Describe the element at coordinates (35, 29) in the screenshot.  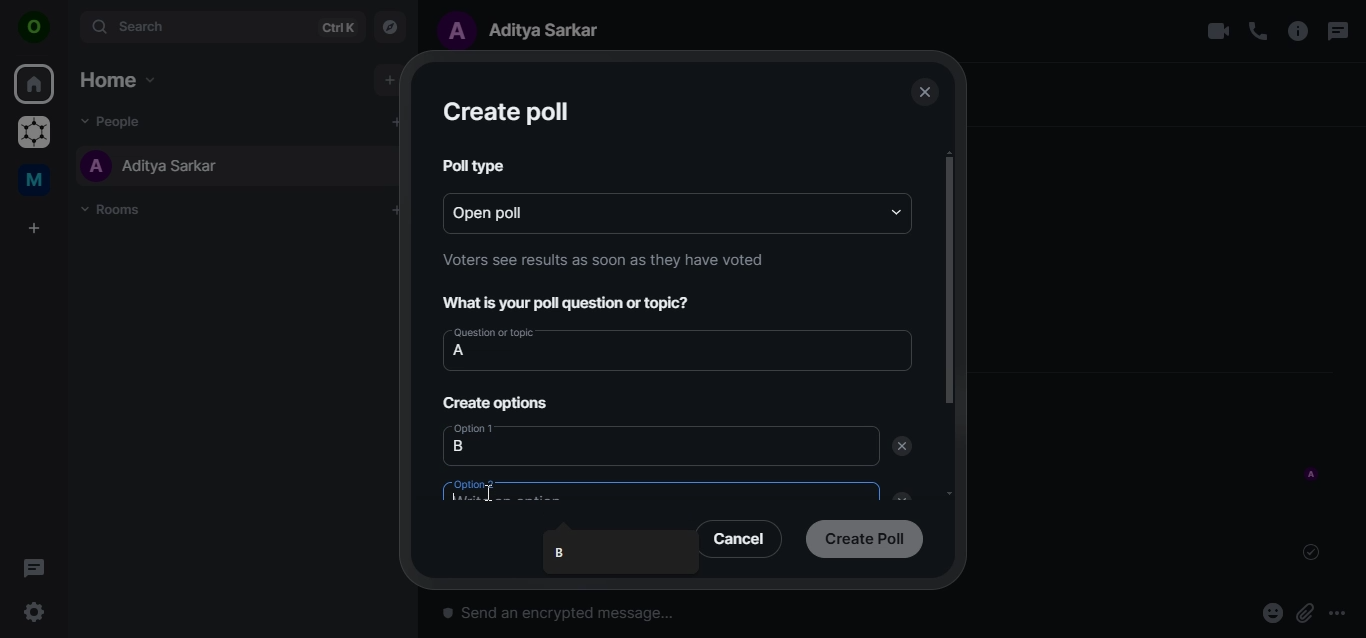
I see `view profile` at that location.